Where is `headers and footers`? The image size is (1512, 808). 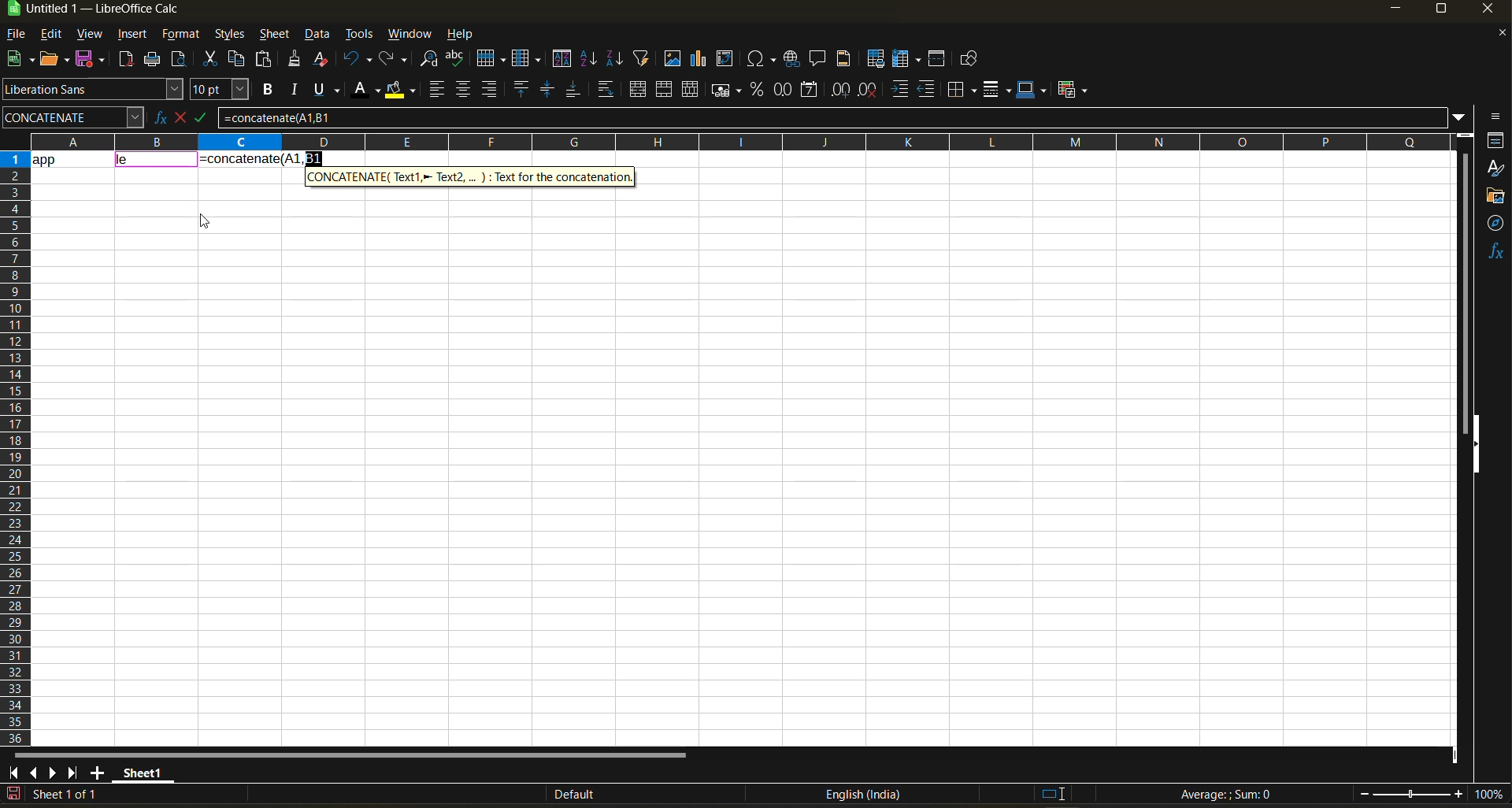
headers and footers is located at coordinates (844, 57).